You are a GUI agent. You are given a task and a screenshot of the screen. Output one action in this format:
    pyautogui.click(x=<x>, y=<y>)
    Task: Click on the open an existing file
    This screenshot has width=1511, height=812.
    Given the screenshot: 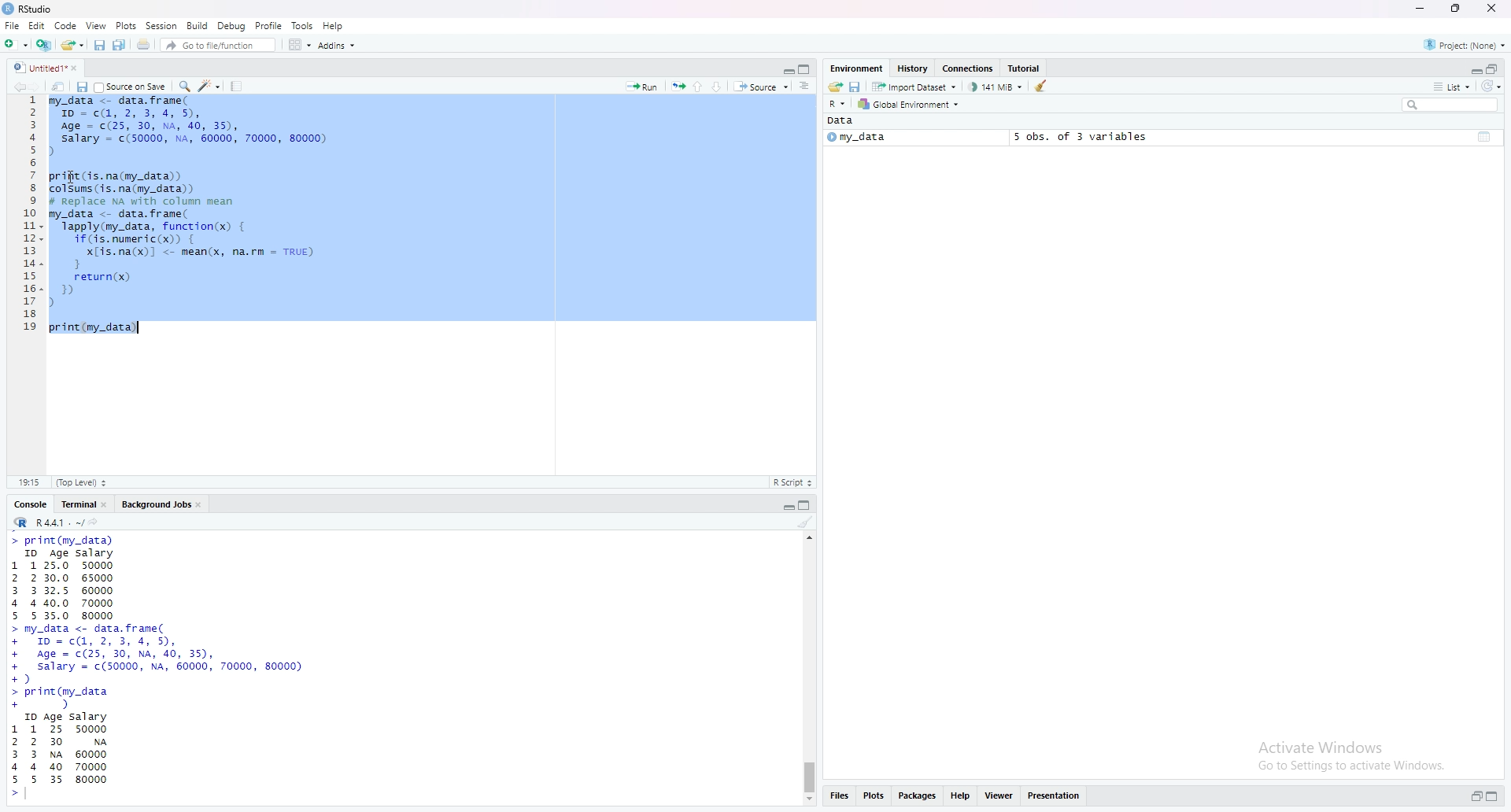 What is the action you would take?
    pyautogui.click(x=72, y=45)
    